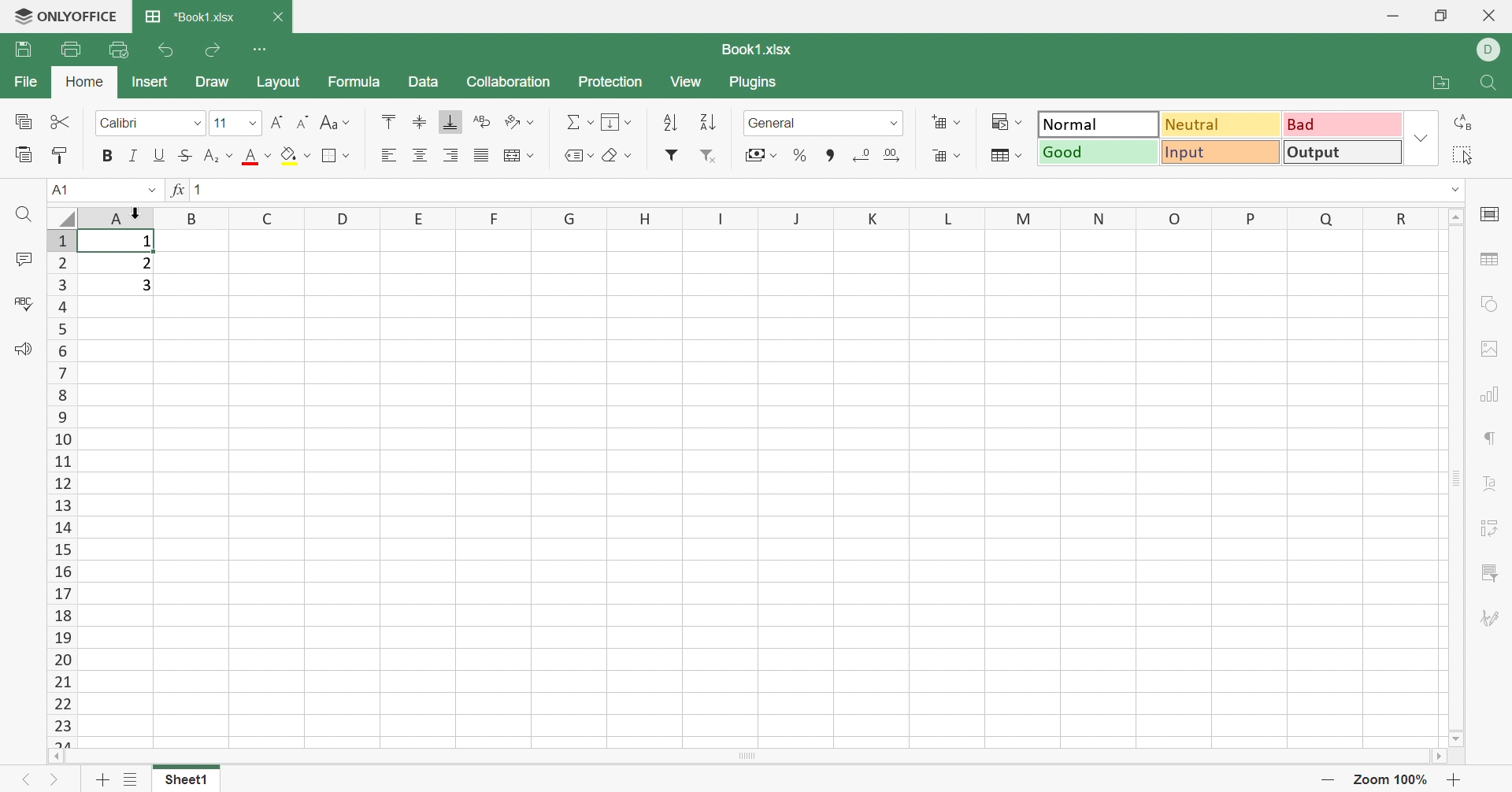 The height and width of the screenshot is (792, 1512). Describe the element at coordinates (1488, 83) in the screenshot. I see `Find` at that location.